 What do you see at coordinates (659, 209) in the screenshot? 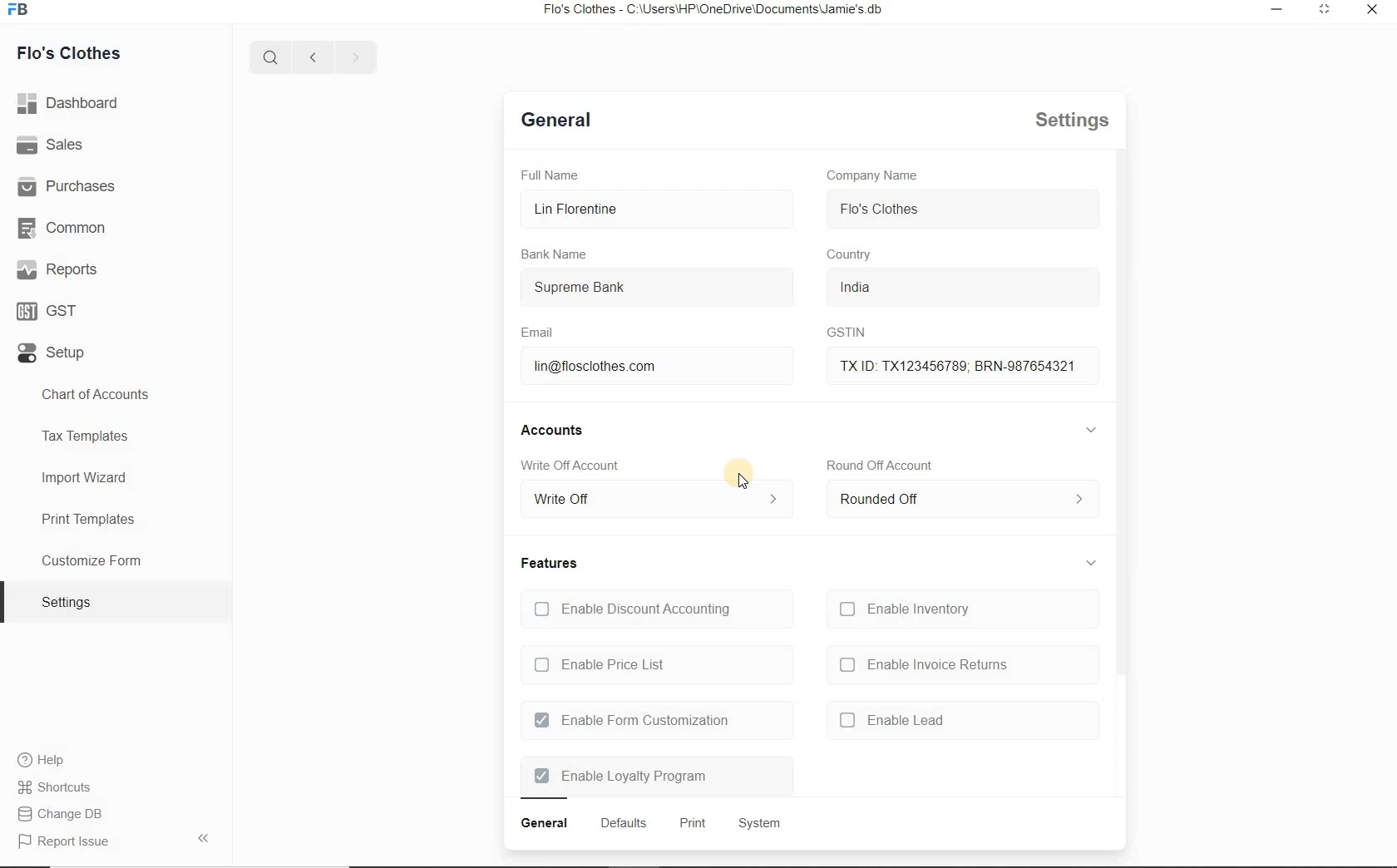
I see `Lin Florentine` at bounding box center [659, 209].